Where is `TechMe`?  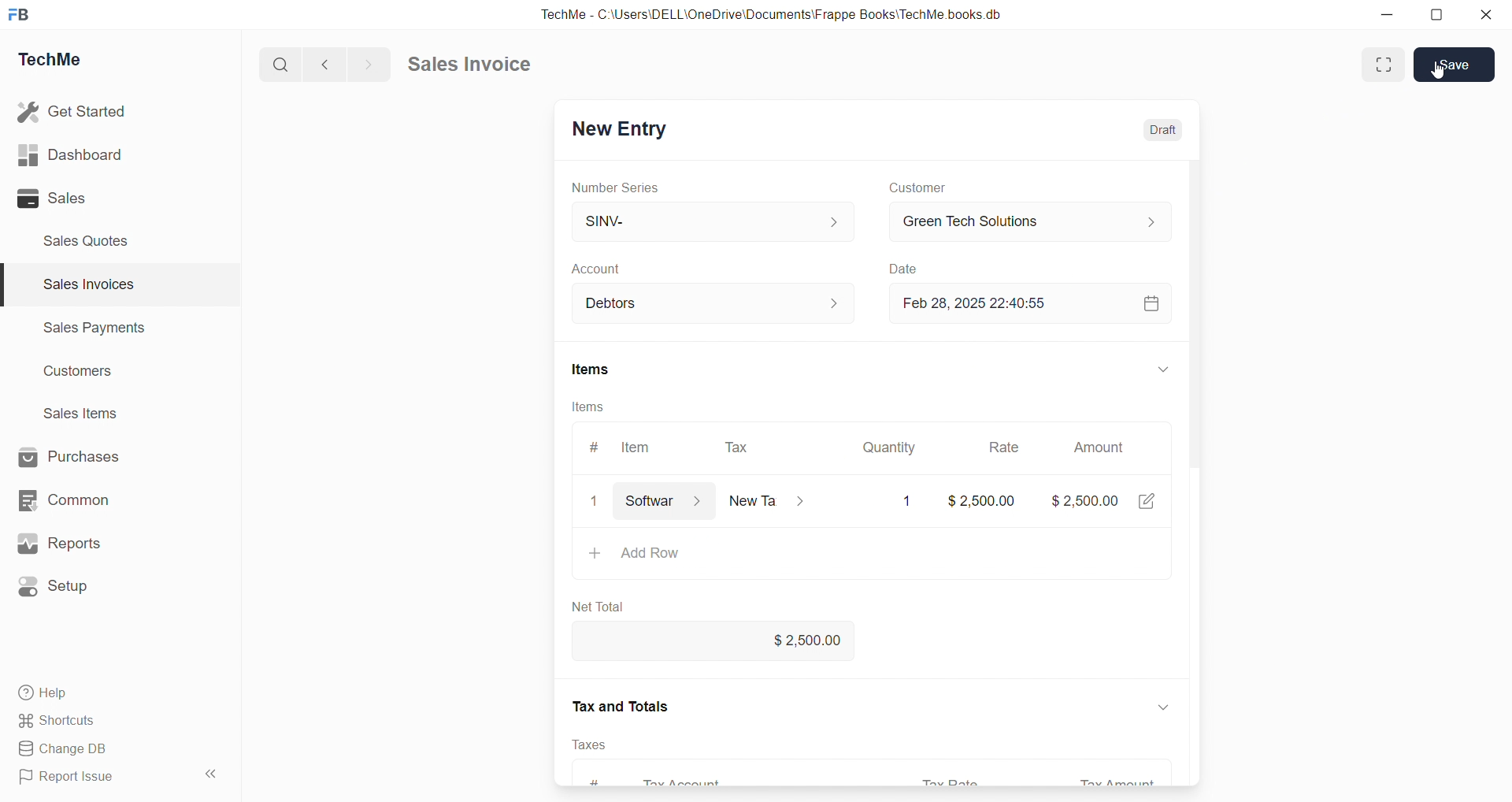
TechMe is located at coordinates (50, 60).